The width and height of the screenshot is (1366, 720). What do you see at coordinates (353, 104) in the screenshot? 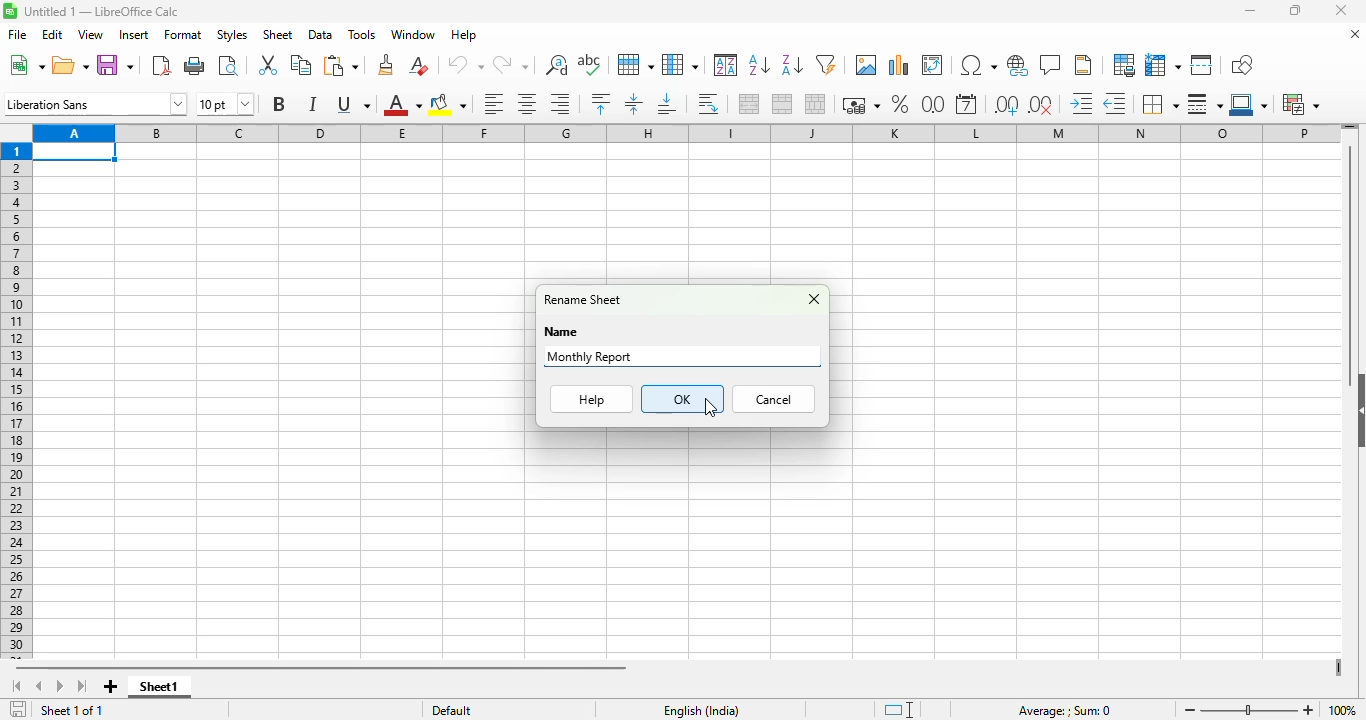
I see `underline` at bounding box center [353, 104].